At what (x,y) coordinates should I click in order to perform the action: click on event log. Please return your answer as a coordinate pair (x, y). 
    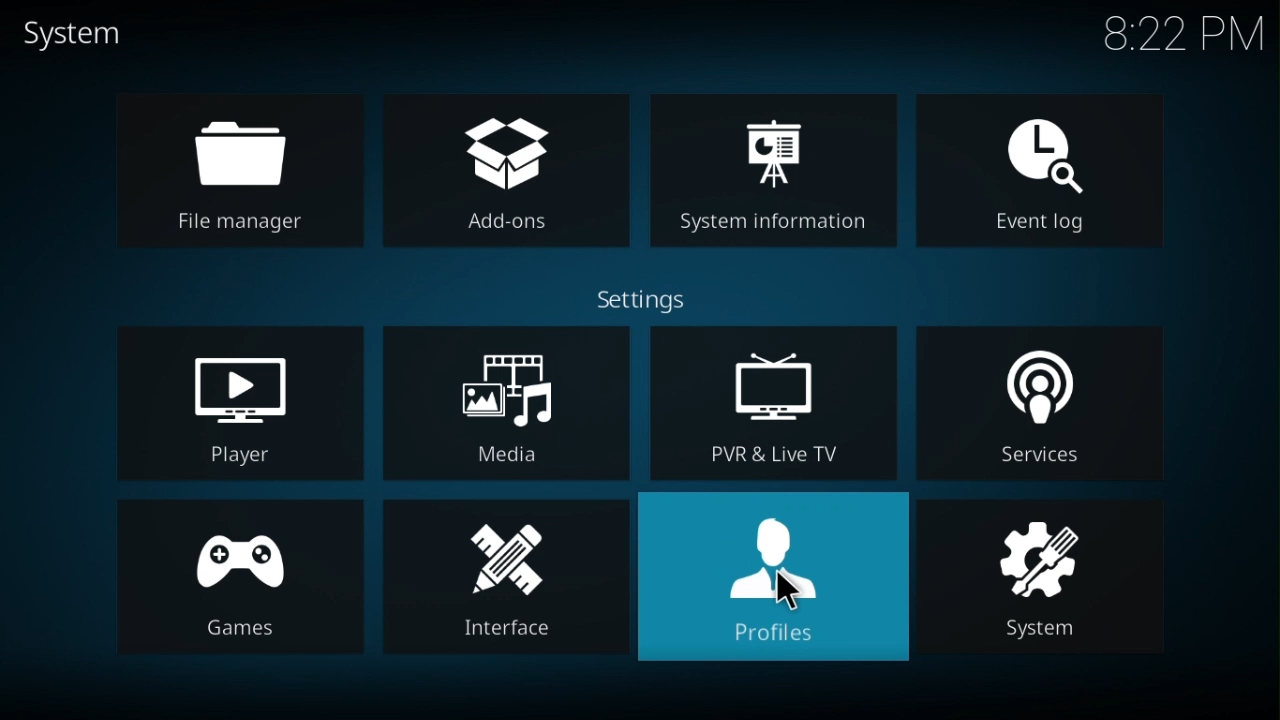
    Looking at the image, I should click on (1035, 173).